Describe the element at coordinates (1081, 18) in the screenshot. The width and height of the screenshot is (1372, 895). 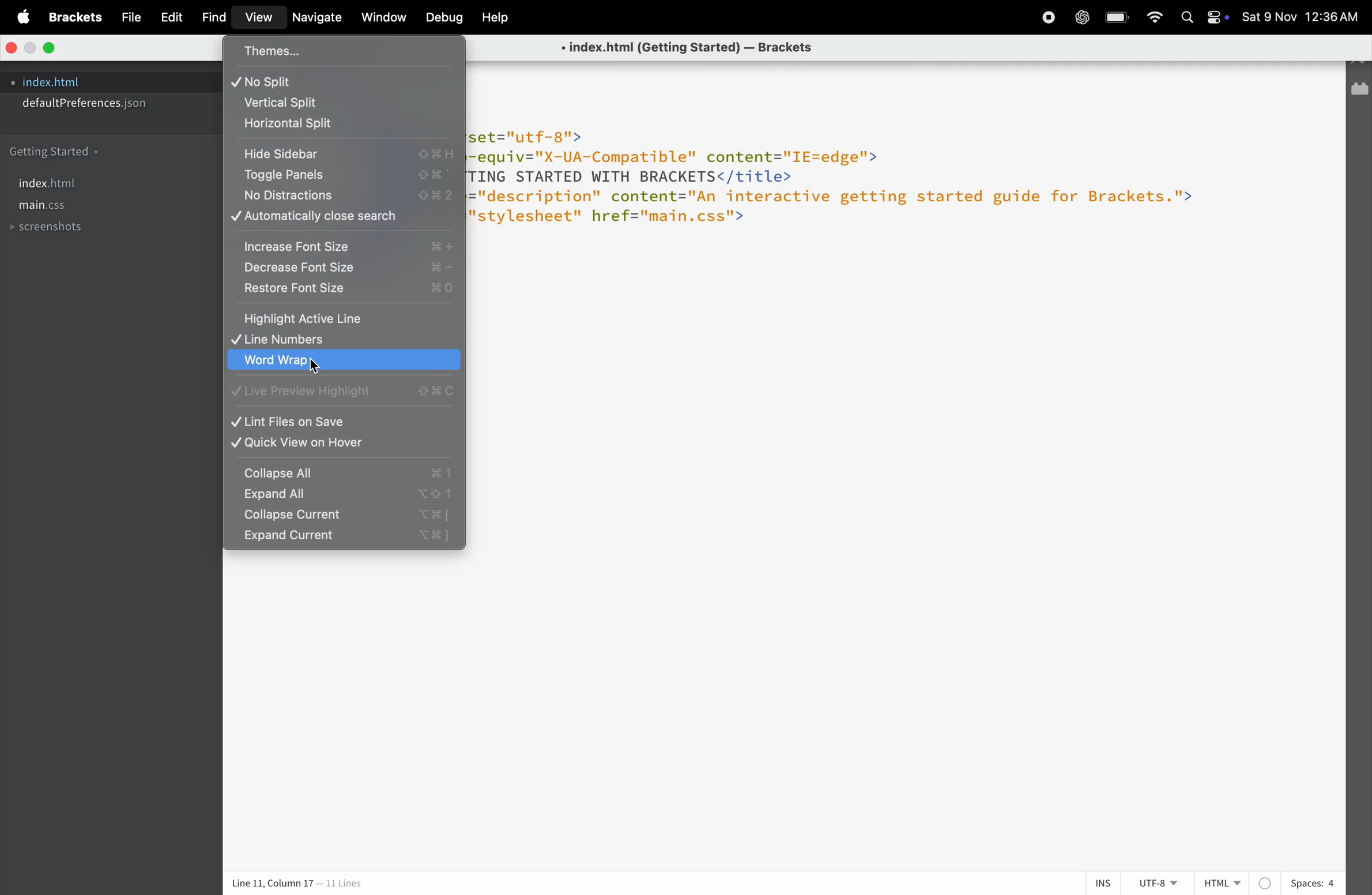
I see `chatgpt` at that location.